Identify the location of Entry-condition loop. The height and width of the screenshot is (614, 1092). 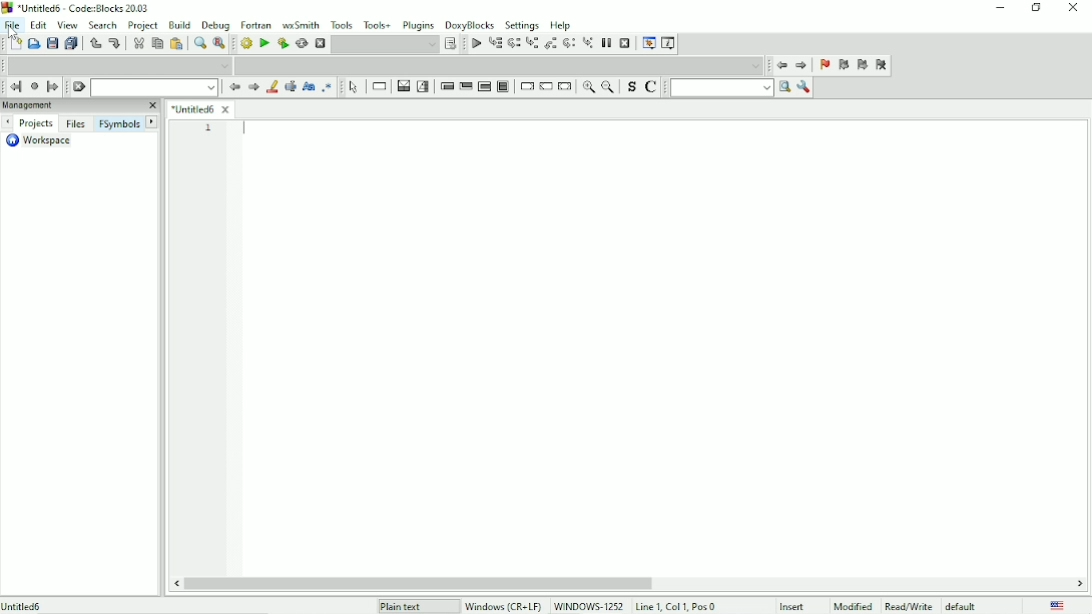
(445, 86).